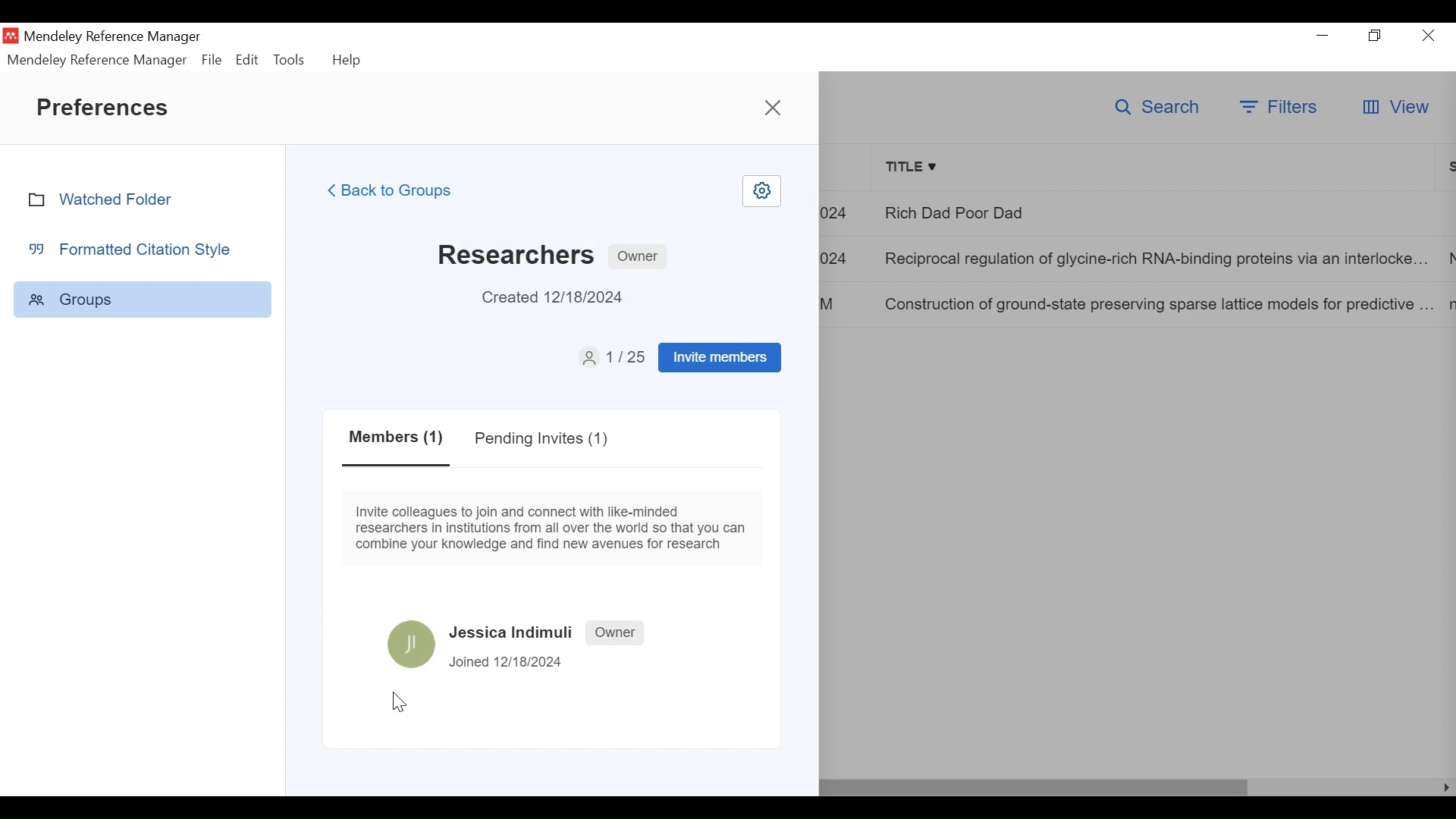 The height and width of the screenshot is (819, 1456). Describe the element at coordinates (212, 60) in the screenshot. I see `File` at that location.